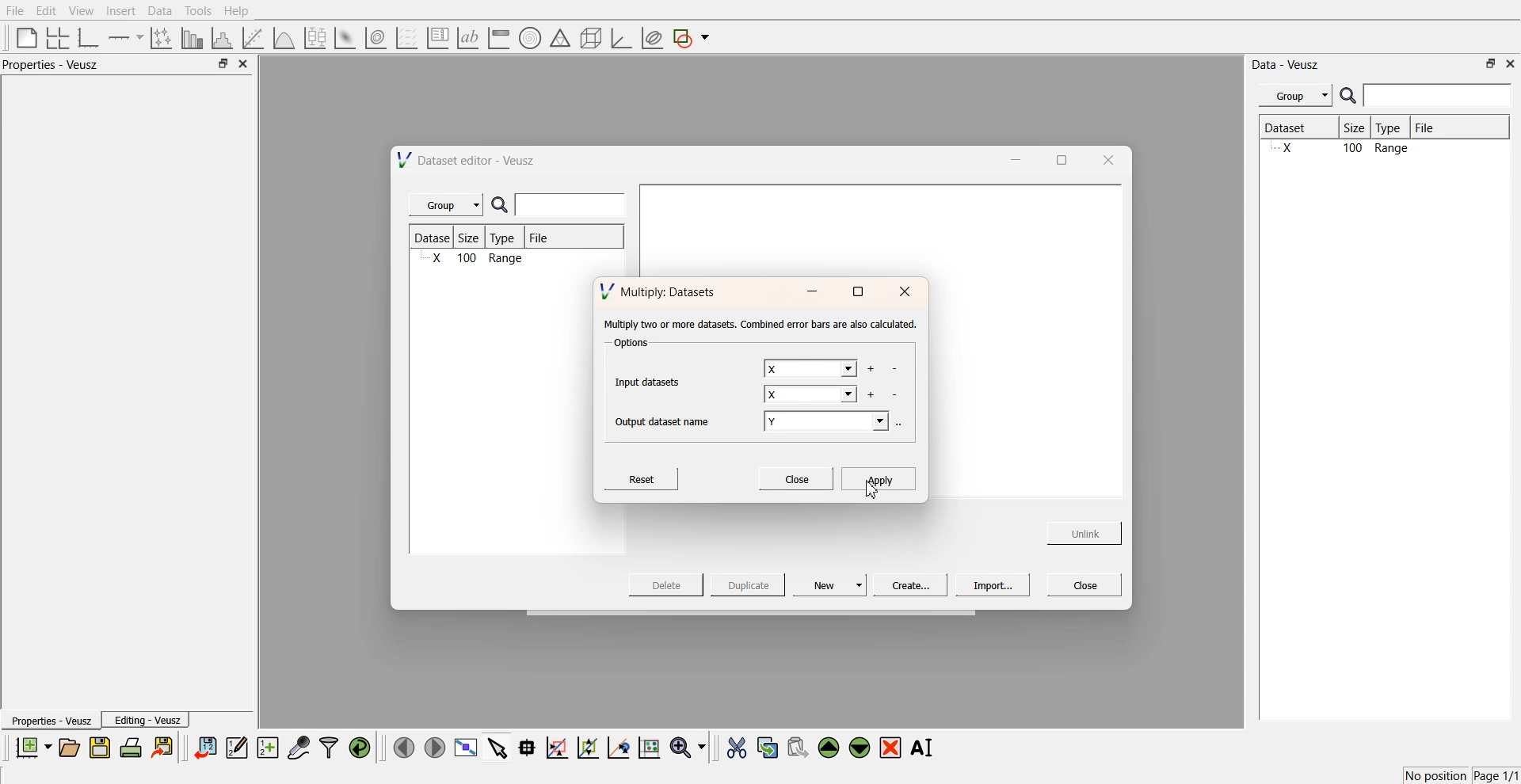 This screenshot has width=1521, height=784. What do you see at coordinates (795, 478) in the screenshot?
I see `Close.` at bounding box center [795, 478].